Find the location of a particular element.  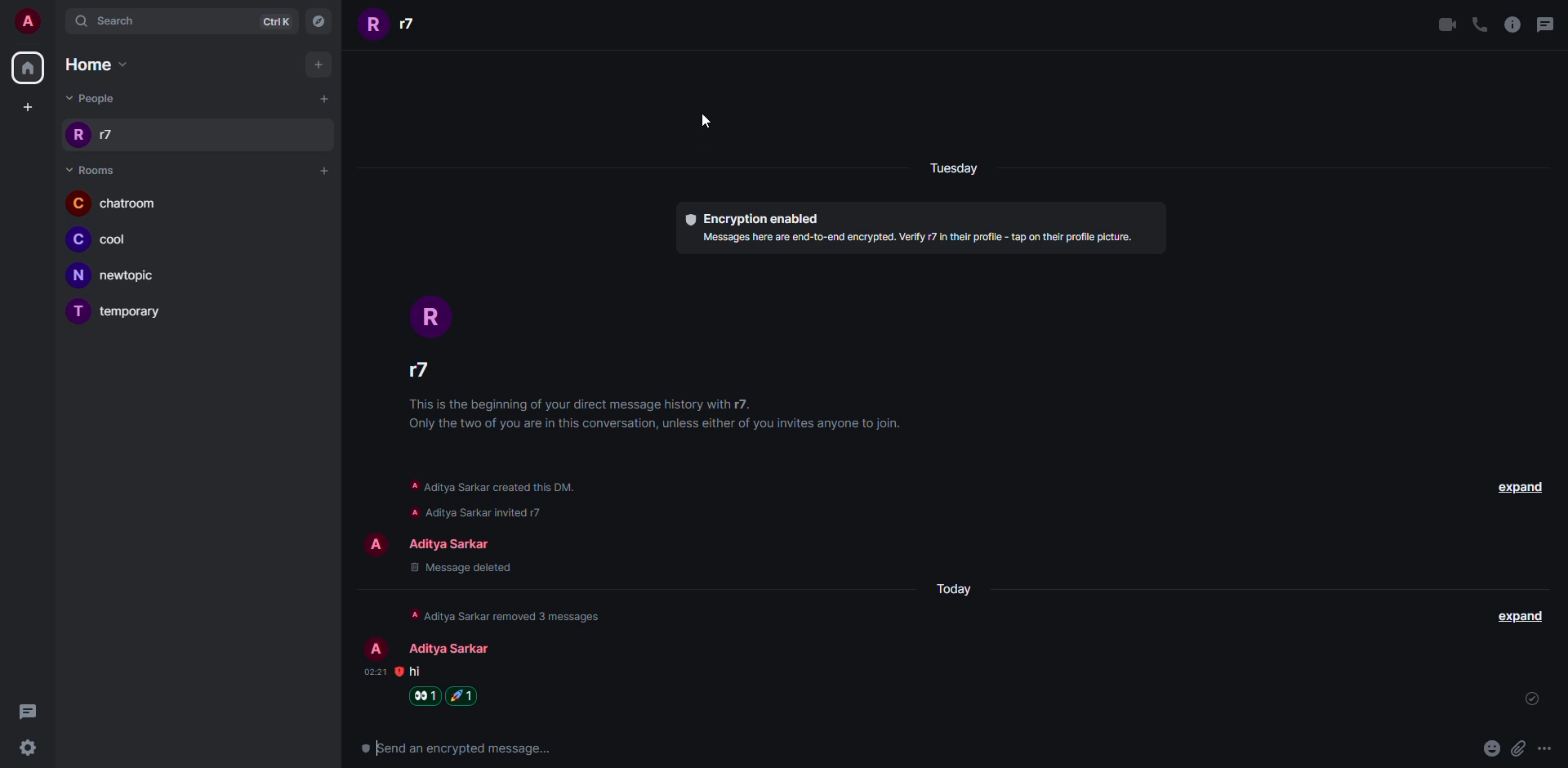

info is located at coordinates (512, 614).